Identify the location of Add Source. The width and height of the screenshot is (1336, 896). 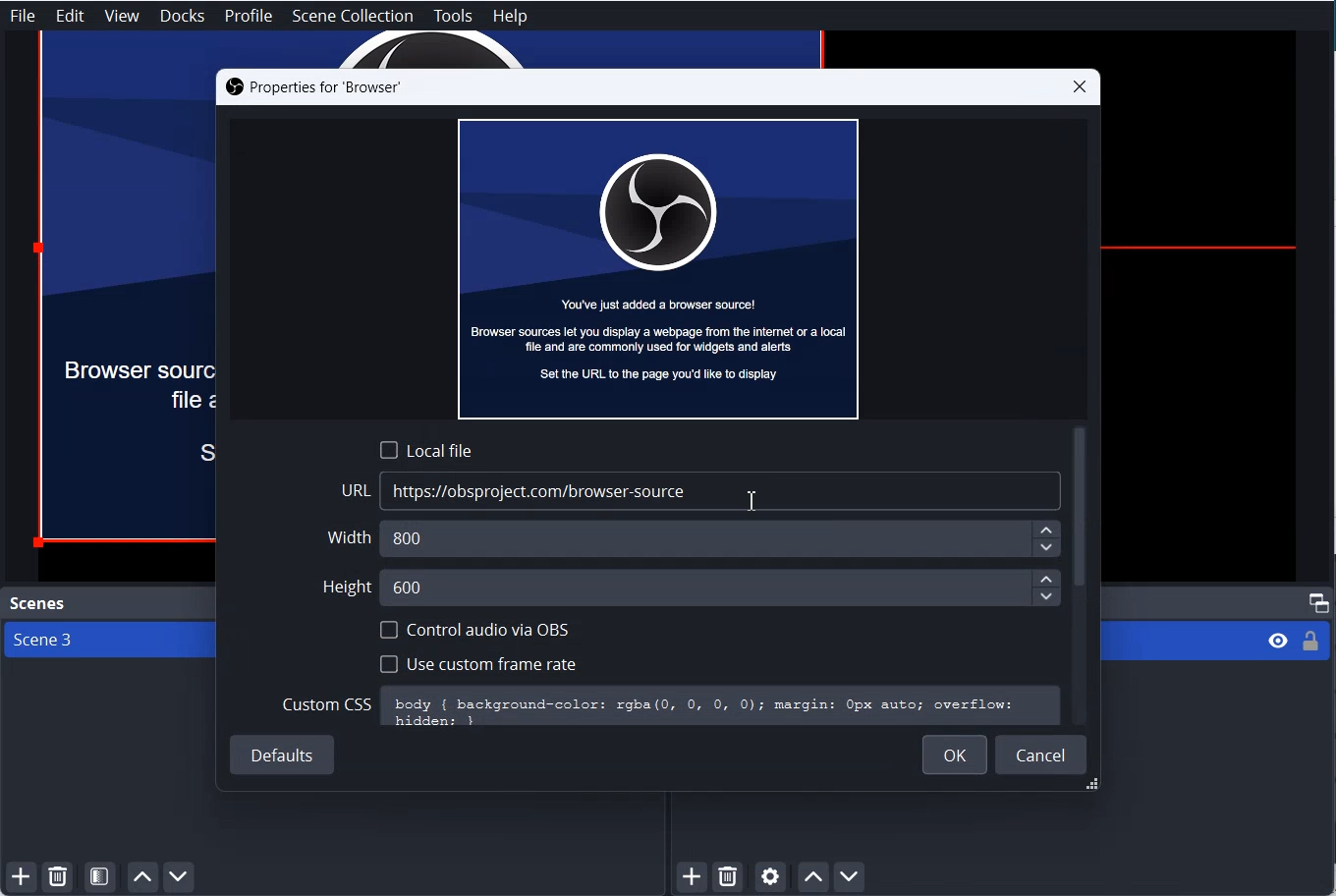
(694, 877).